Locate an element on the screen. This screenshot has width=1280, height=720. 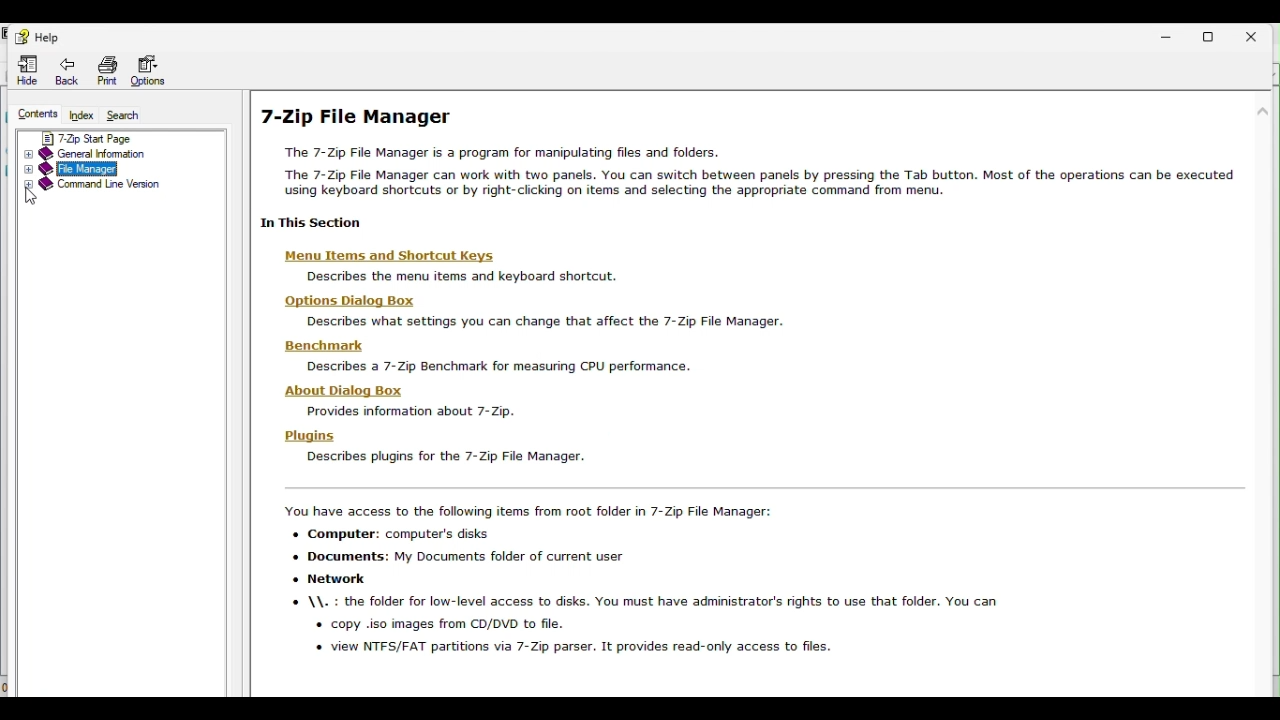
7 zip file manager help page is located at coordinates (758, 165).